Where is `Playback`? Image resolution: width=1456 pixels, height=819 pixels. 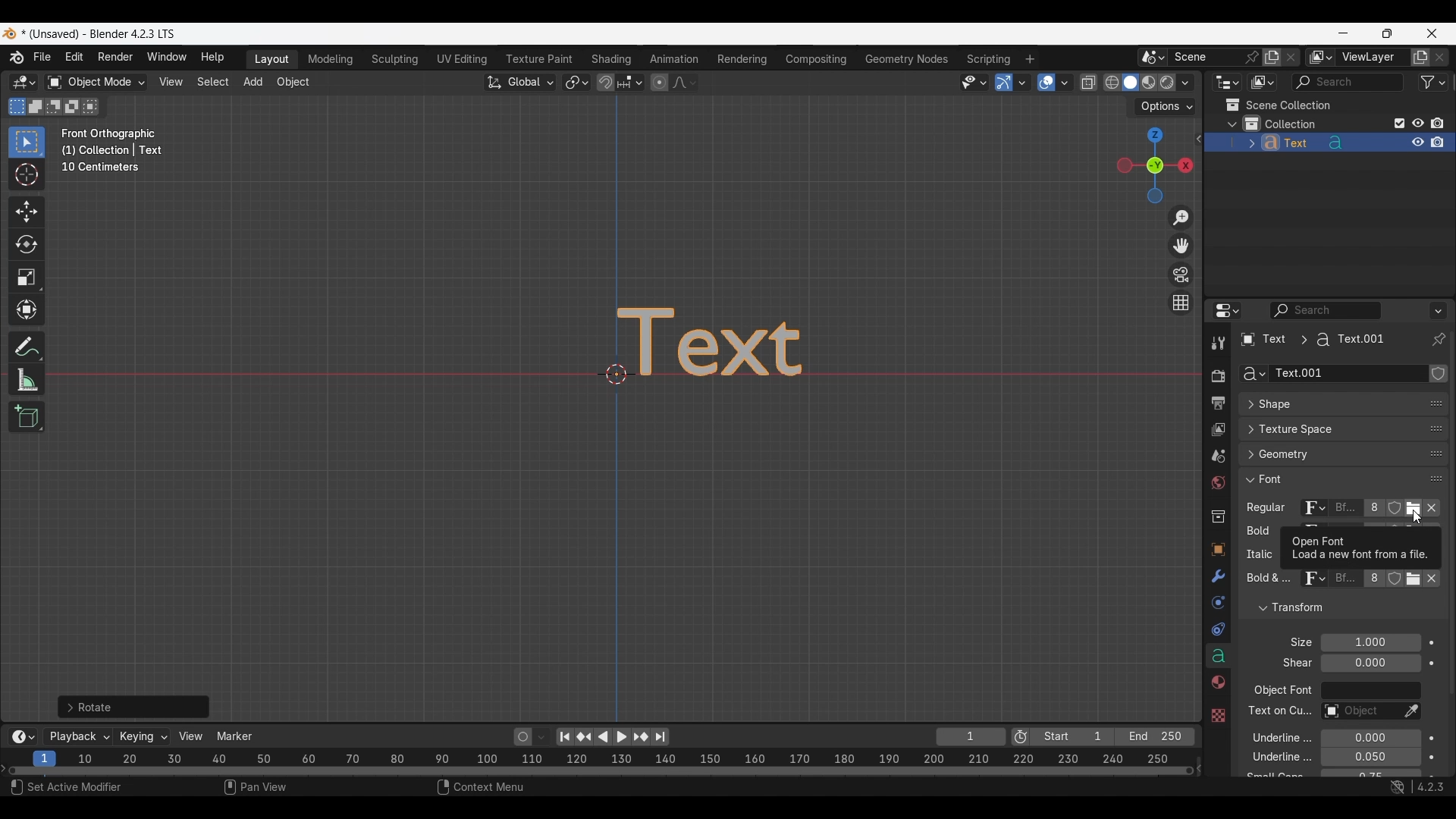 Playback is located at coordinates (79, 737).